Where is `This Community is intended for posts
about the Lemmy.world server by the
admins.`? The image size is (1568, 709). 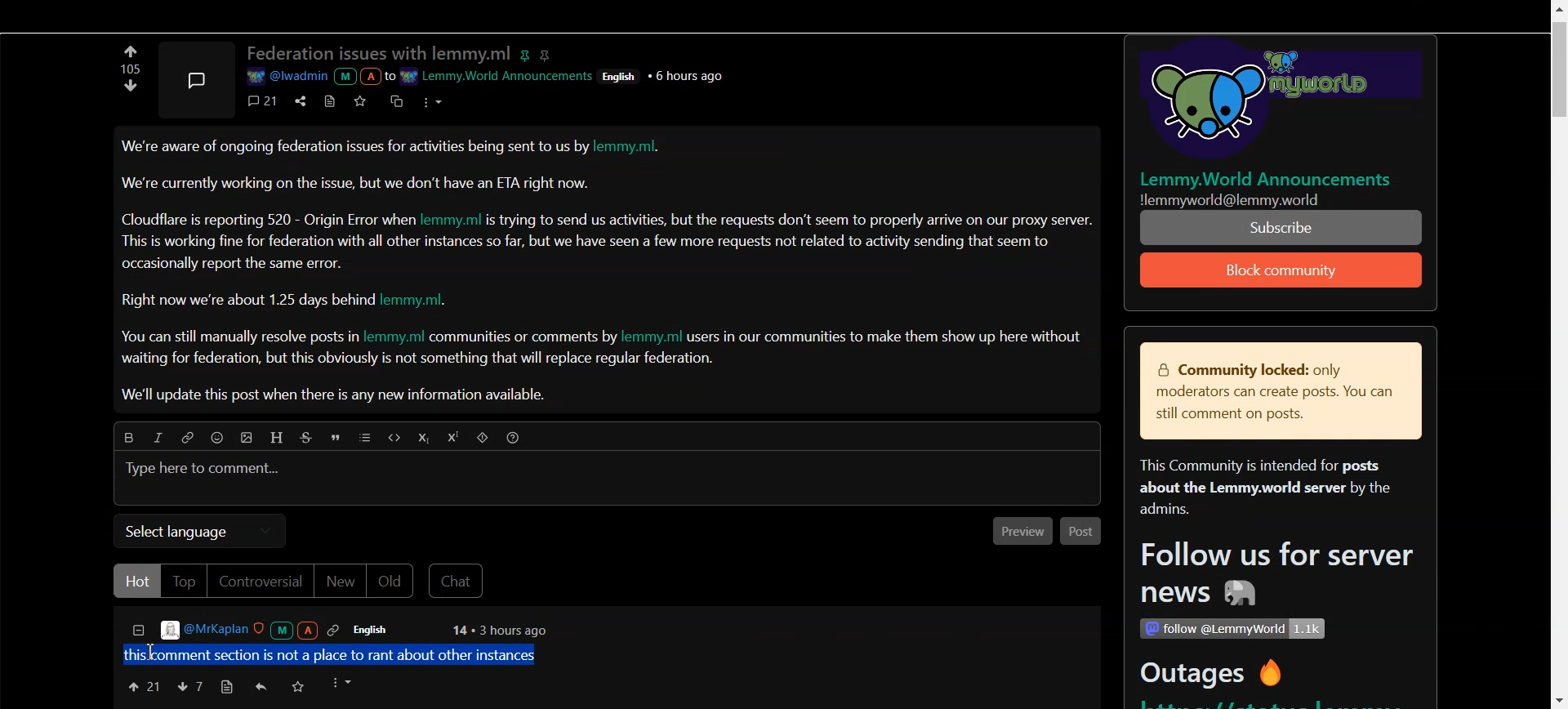
This Community is intended for posts
about the Lemmy.world server by the
admins. is located at coordinates (1258, 488).